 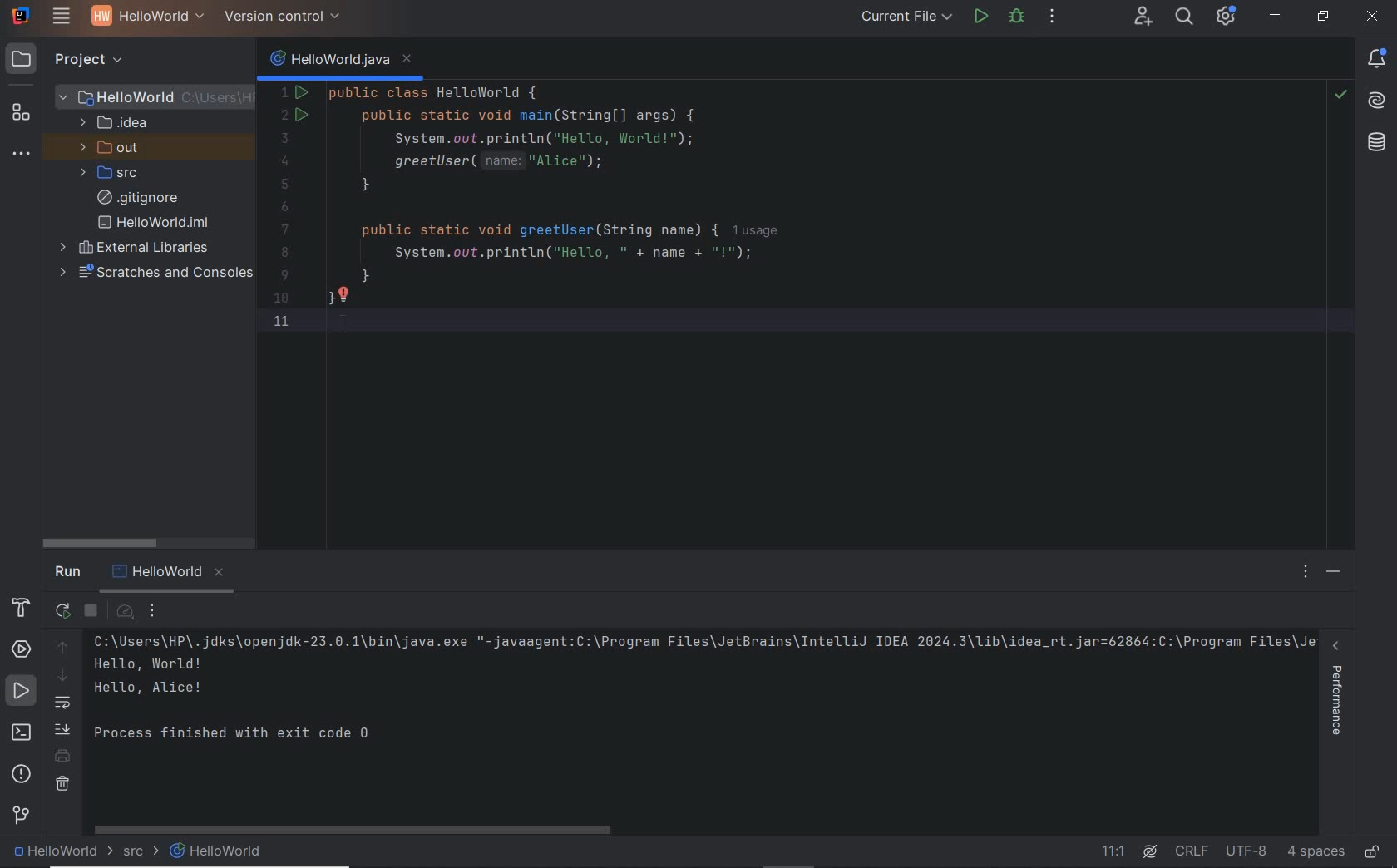 What do you see at coordinates (62, 787) in the screenshot?
I see `clear all` at bounding box center [62, 787].